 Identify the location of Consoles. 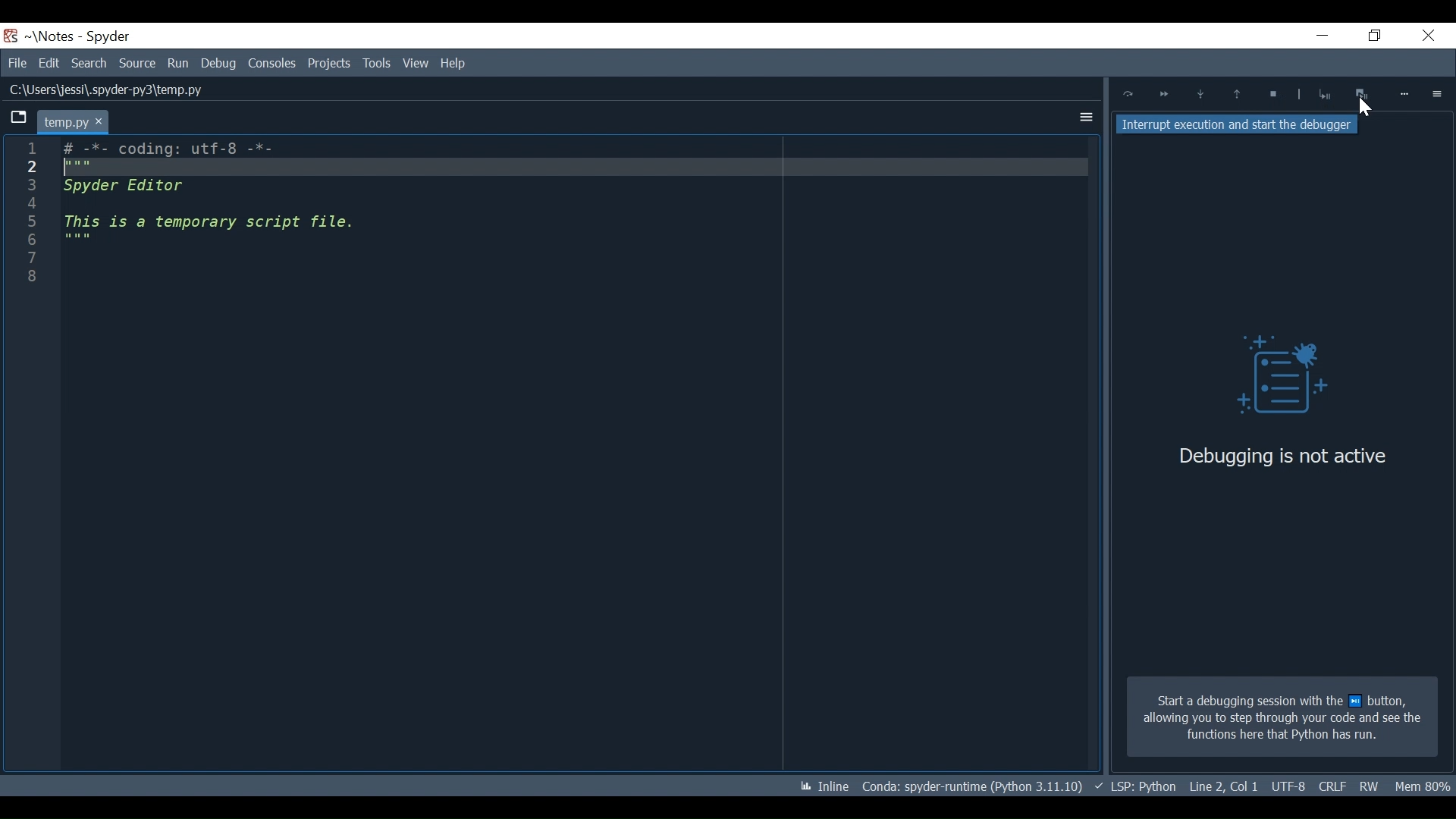
(271, 63).